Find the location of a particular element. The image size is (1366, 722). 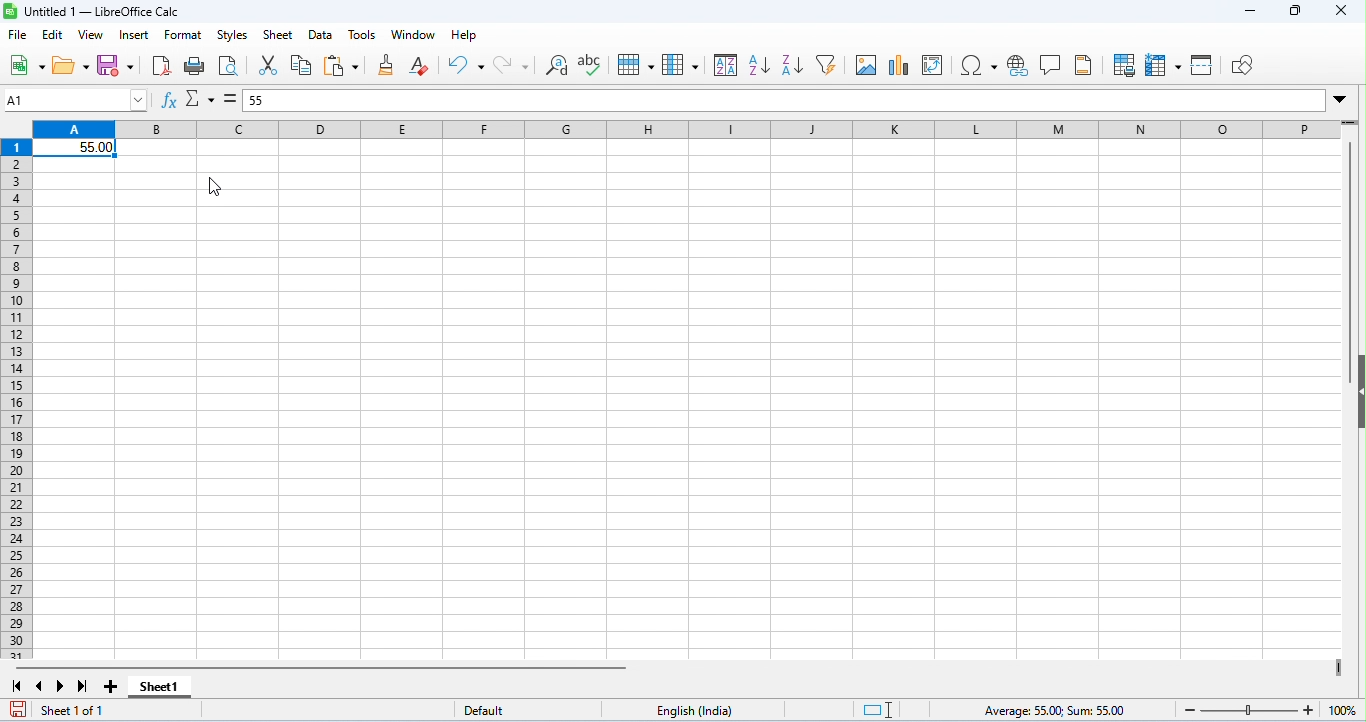

tools is located at coordinates (362, 34).